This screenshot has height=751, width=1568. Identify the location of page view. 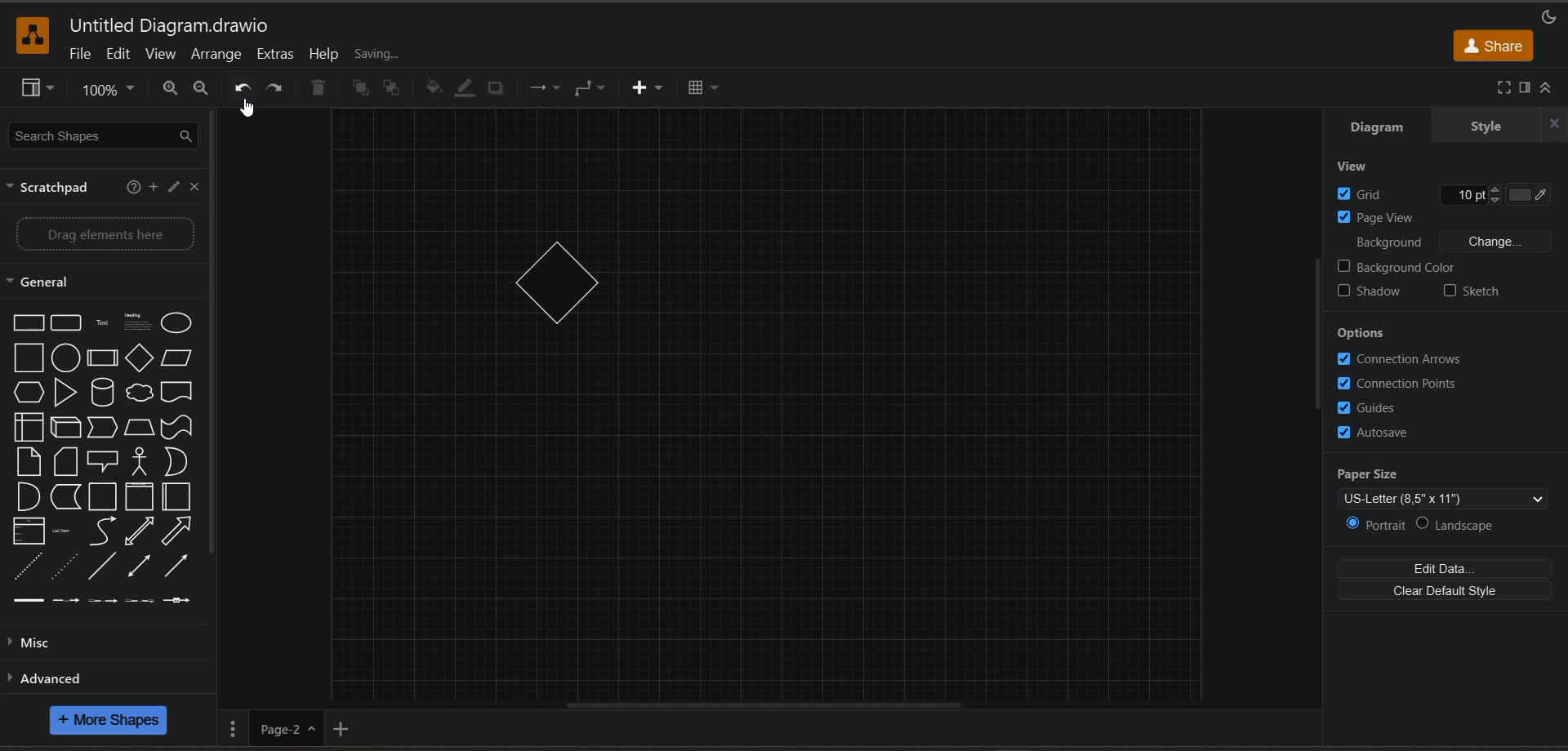
(1392, 219).